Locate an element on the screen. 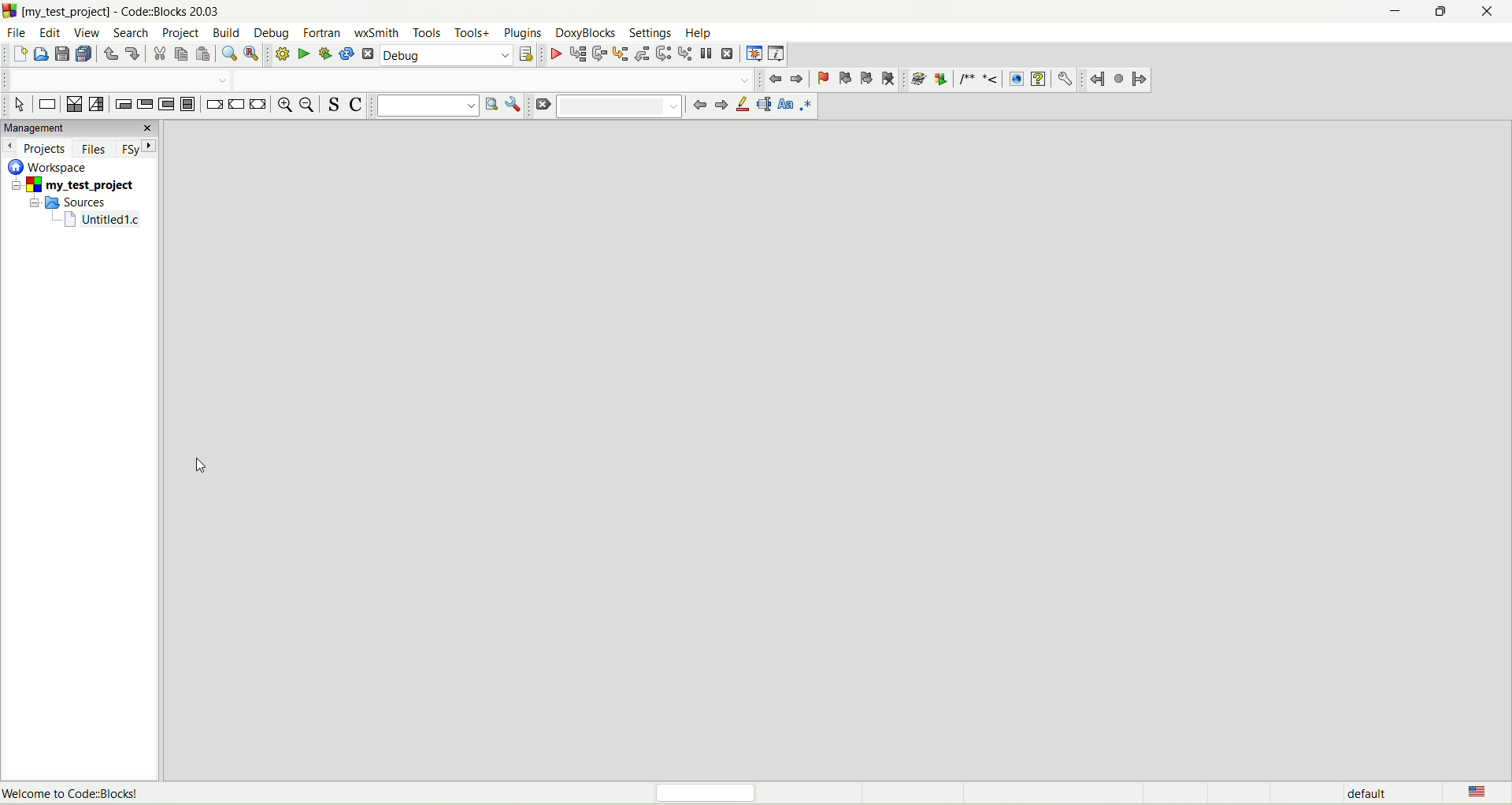 This screenshot has width=1512, height=805. view is located at coordinates (91, 33).